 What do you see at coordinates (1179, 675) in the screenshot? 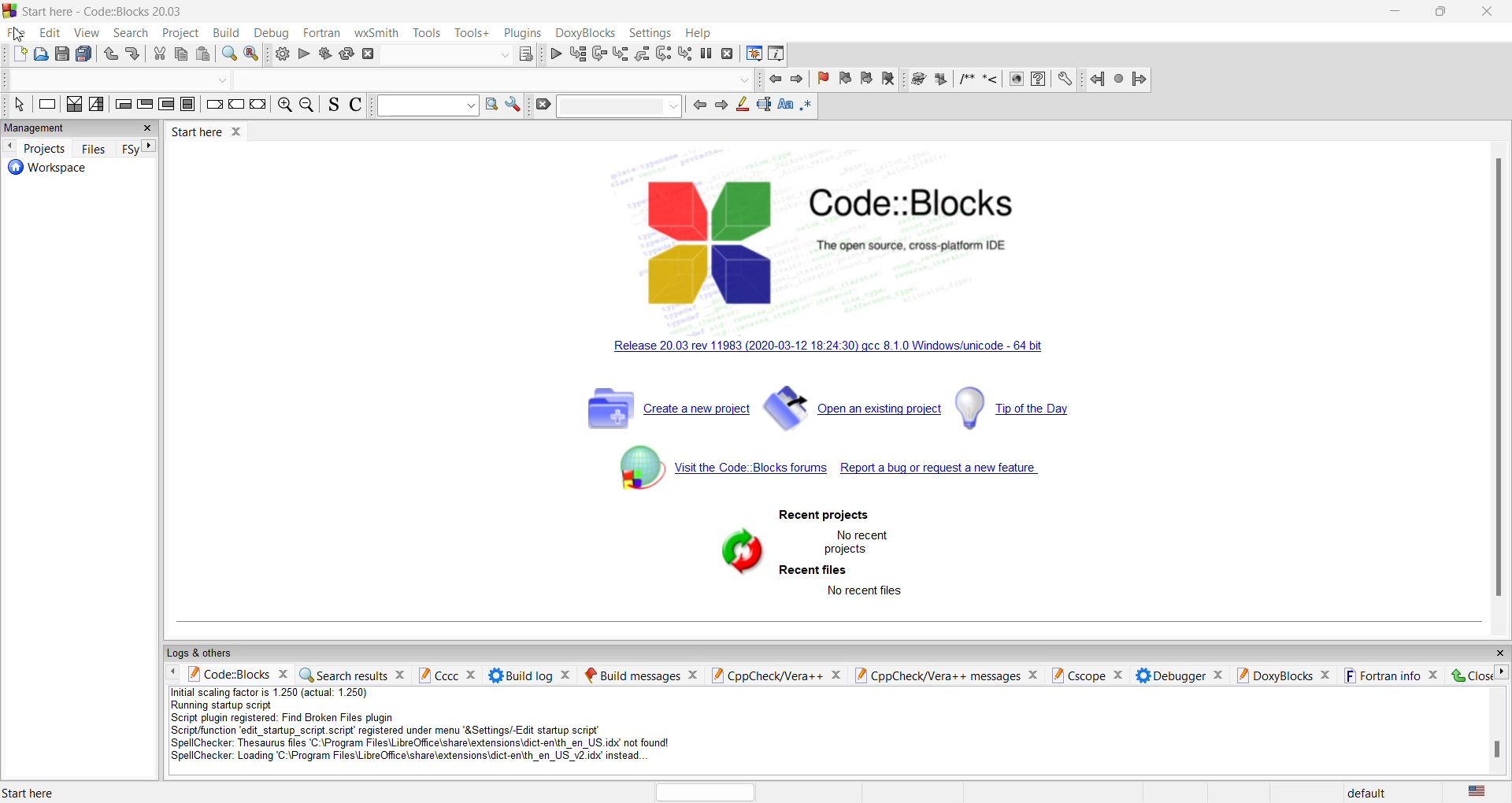
I see `Debugger` at bounding box center [1179, 675].